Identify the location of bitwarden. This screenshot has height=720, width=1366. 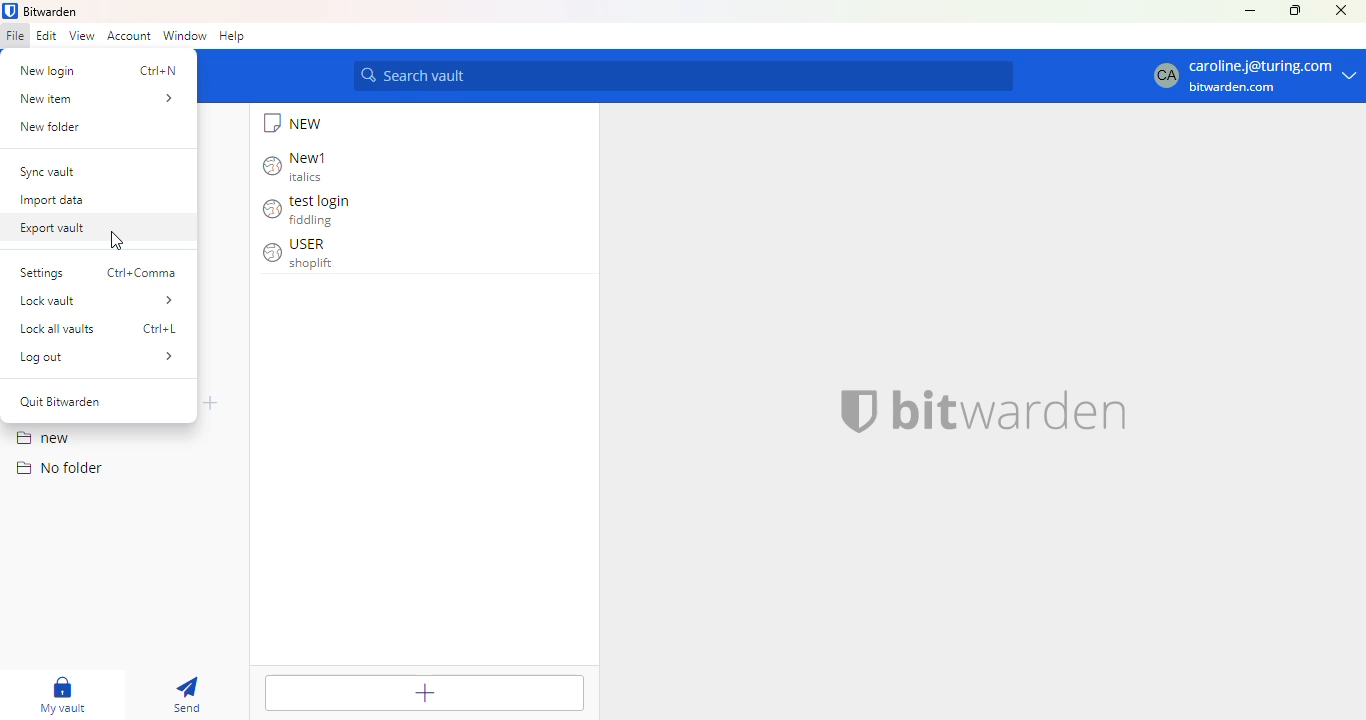
(51, 11).